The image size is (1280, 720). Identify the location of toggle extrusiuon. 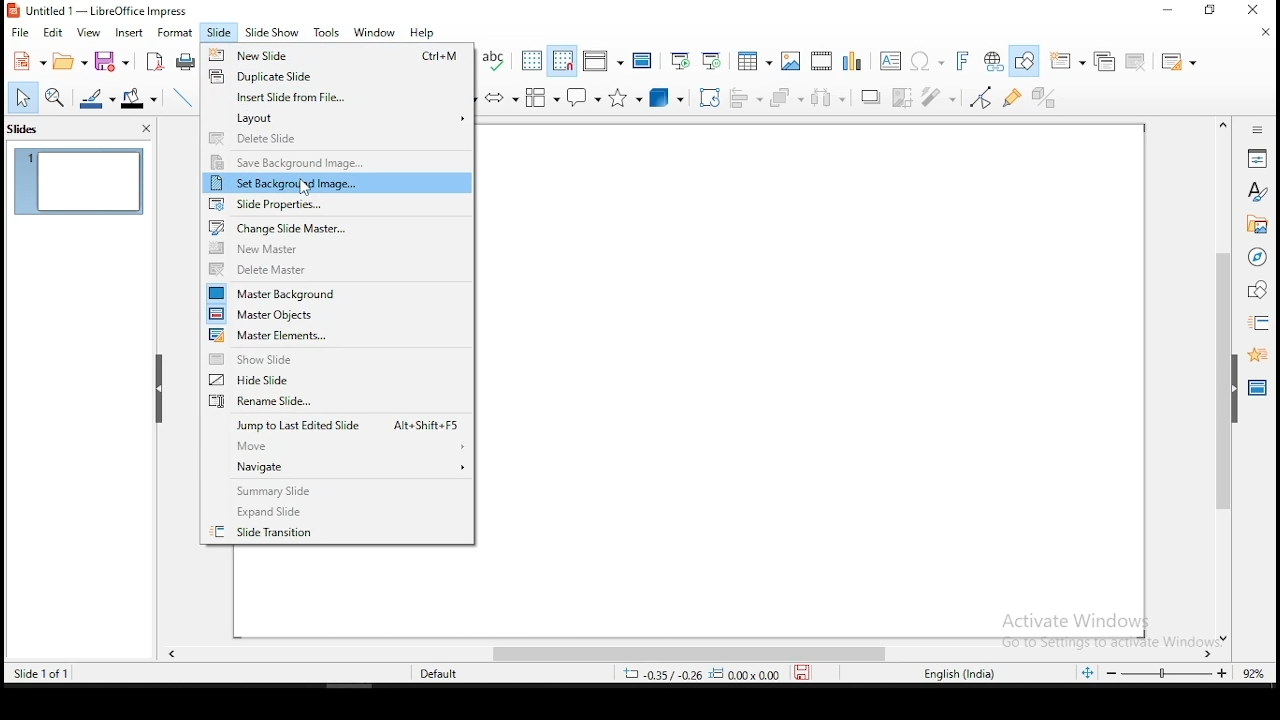
(1047, 96).